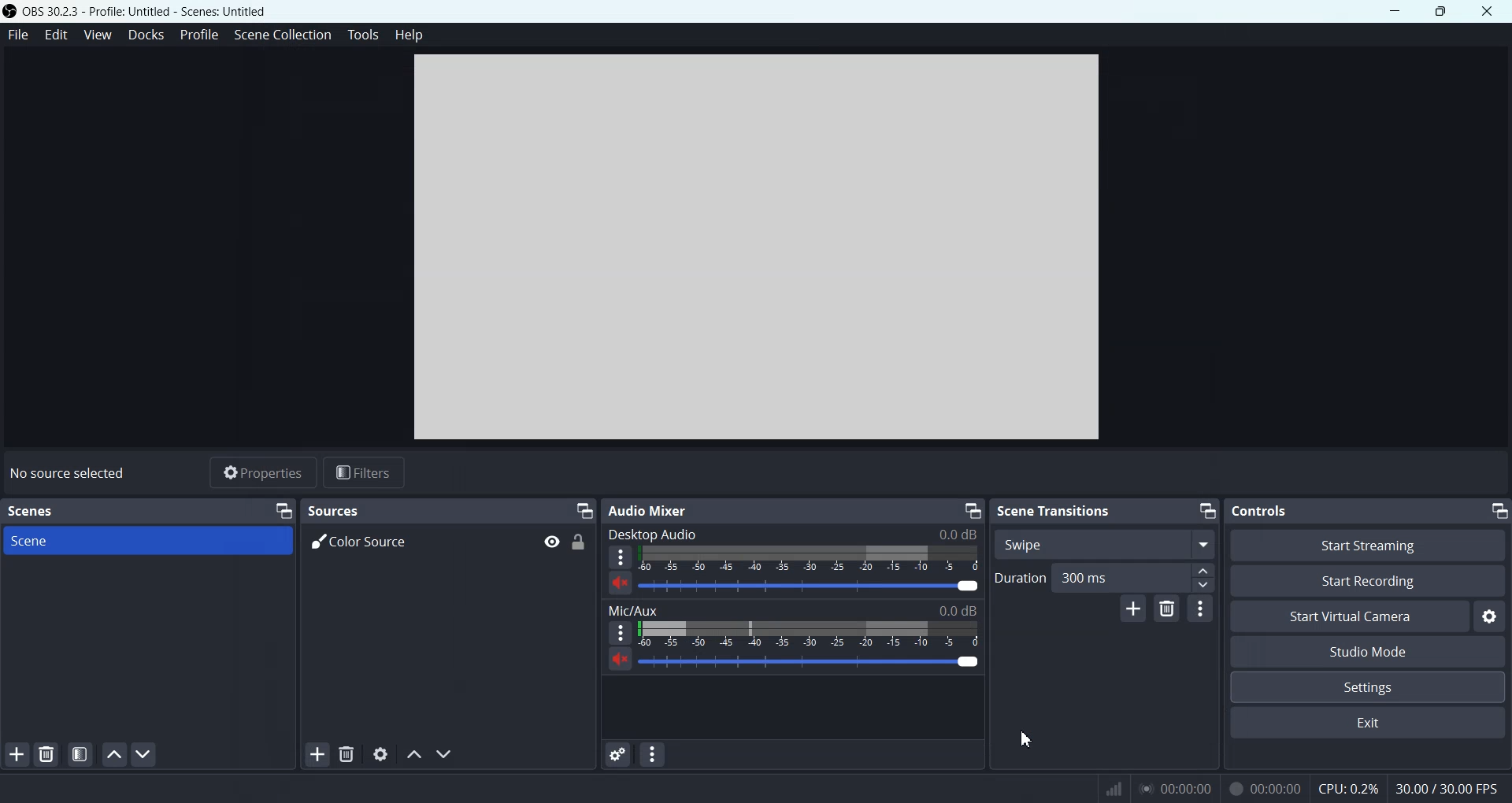 The height and width of the screenshot is (803, 1512). What do you see at coordinates (443, 754) in the screenshot?
I see `Move source down` at bounding box center [443, 754].